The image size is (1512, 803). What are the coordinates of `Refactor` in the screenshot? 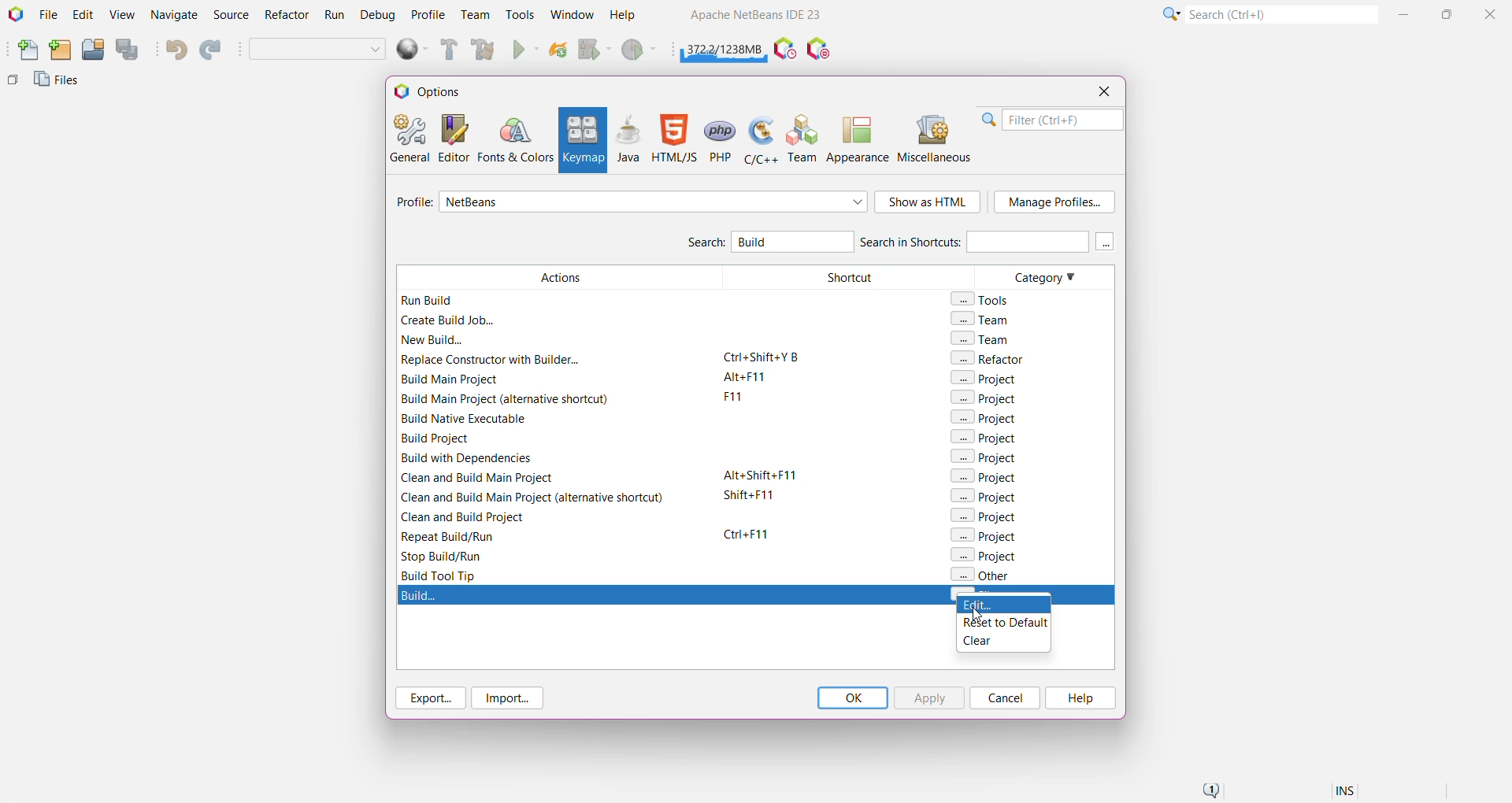 It's located at (288, 17).